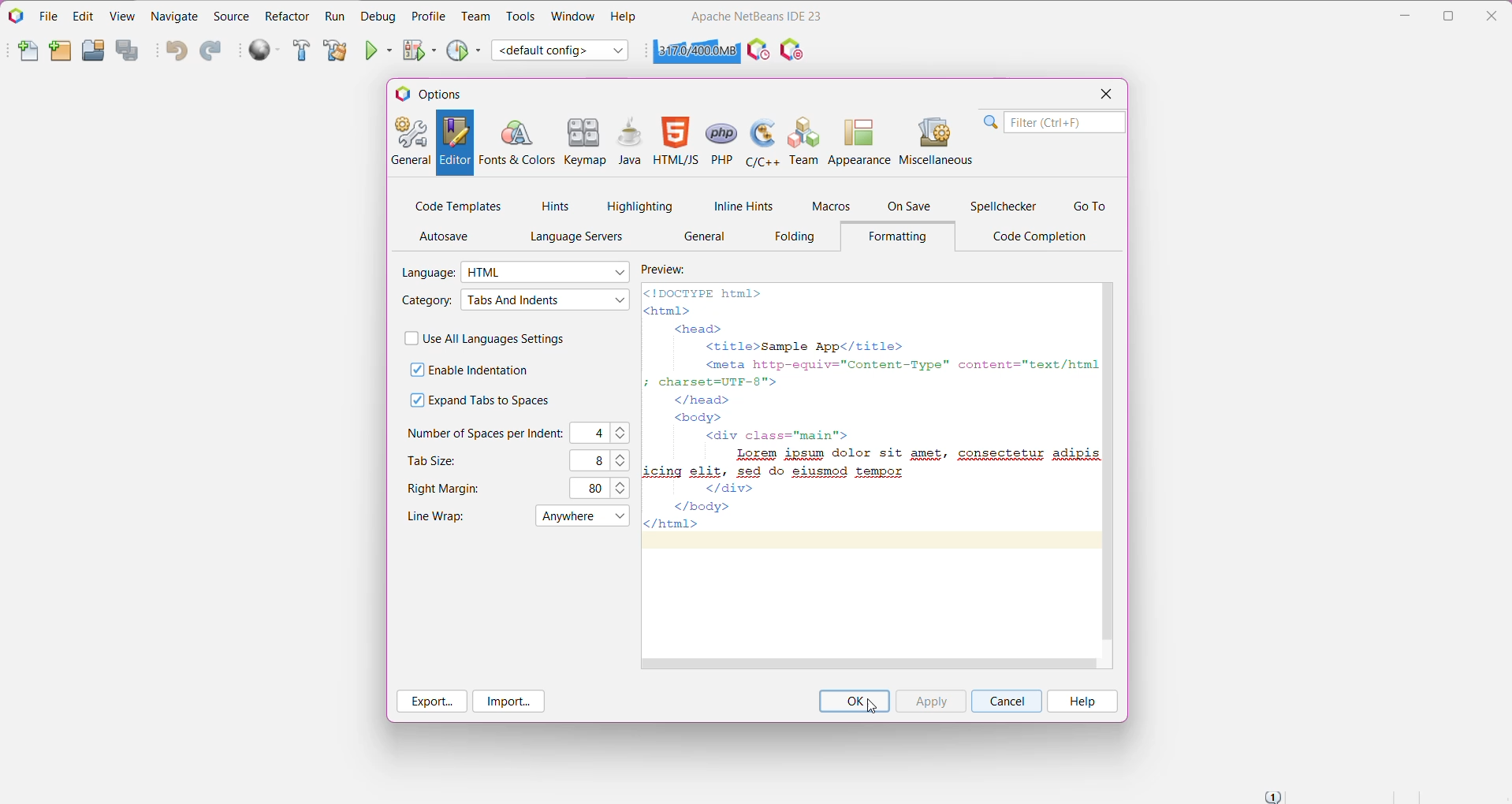 The image size is (1512, 804). Describe the element at coordinates (176, 52) in the screenshot. I see `Undo` at that location.